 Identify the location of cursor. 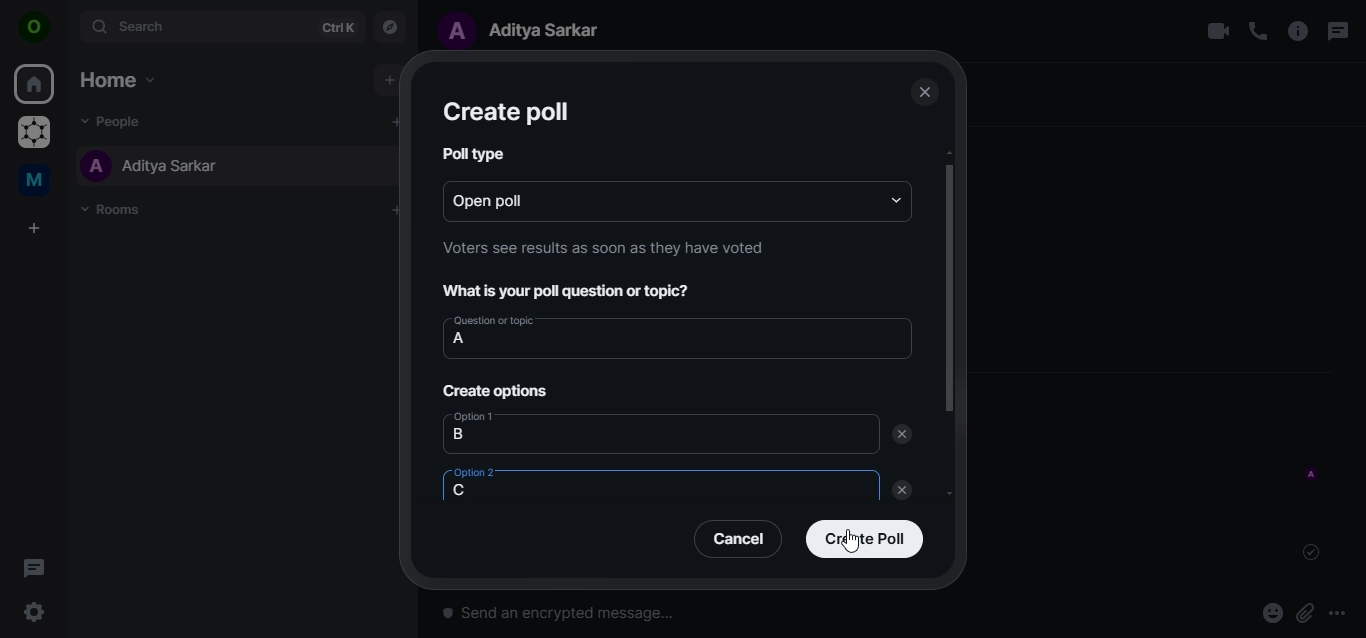
(852, 539).